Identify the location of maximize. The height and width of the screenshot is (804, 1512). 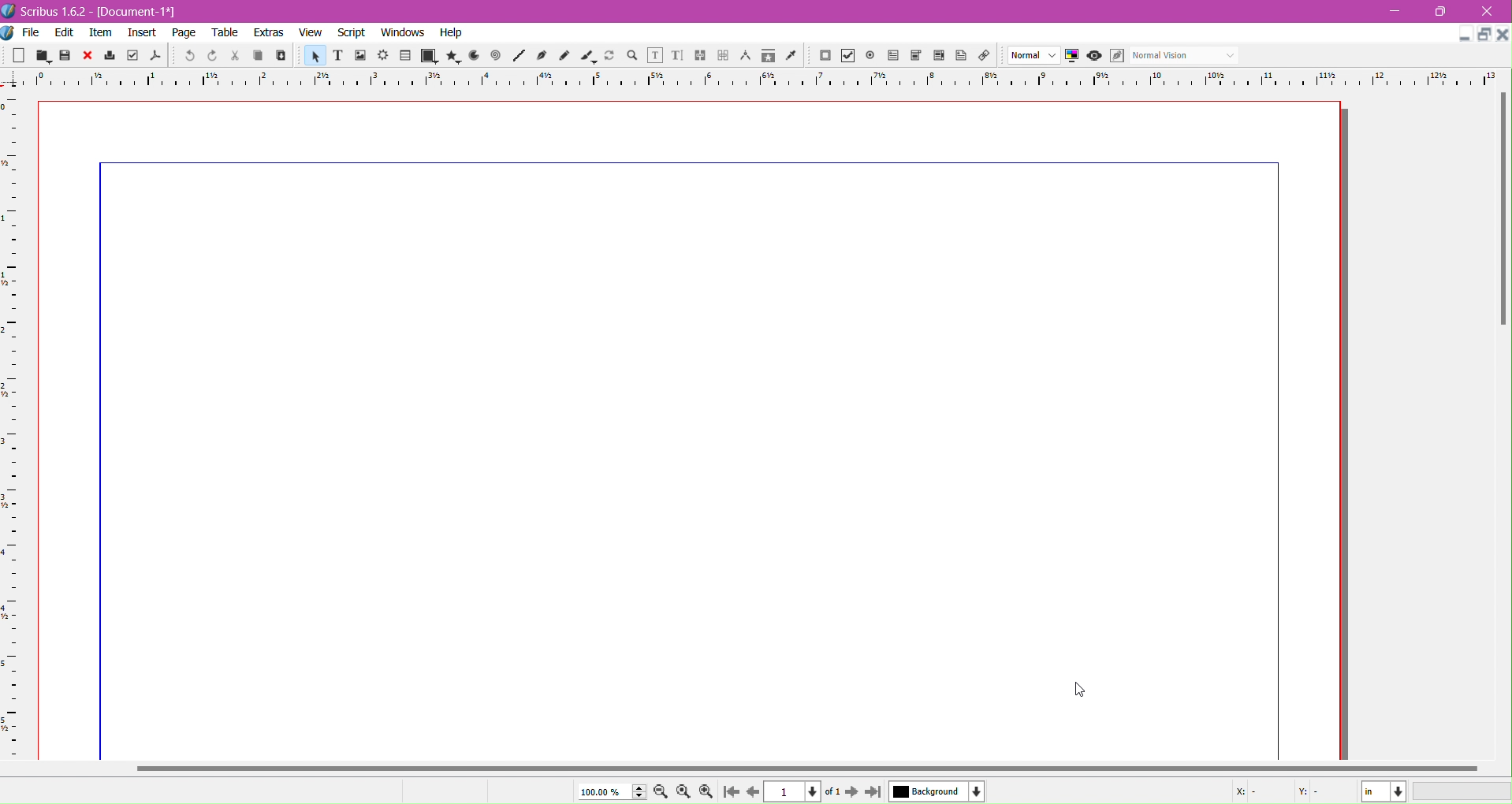
(1446, 12).